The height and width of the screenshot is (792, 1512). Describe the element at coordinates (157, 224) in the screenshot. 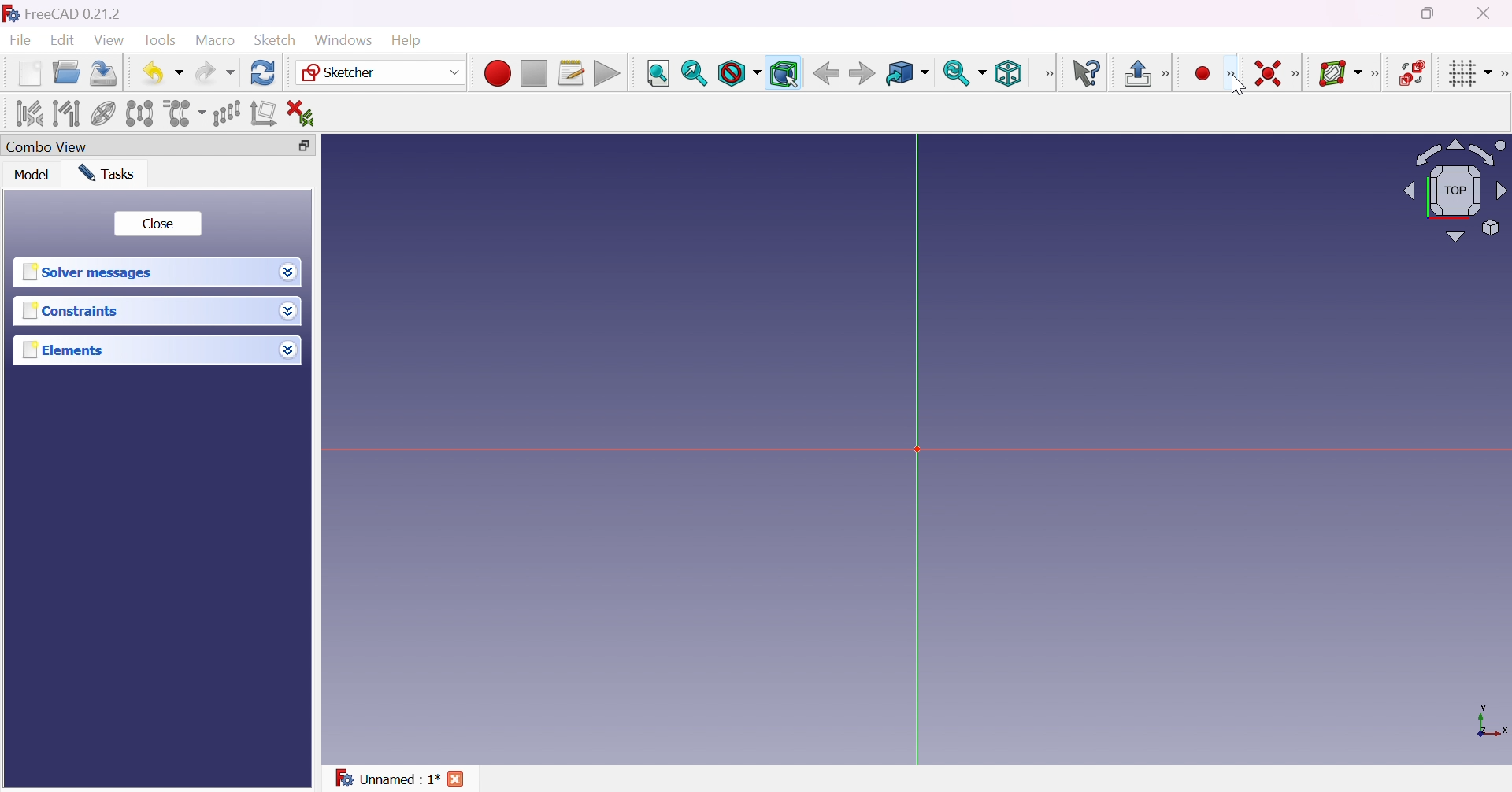

I see `Close` at that location.